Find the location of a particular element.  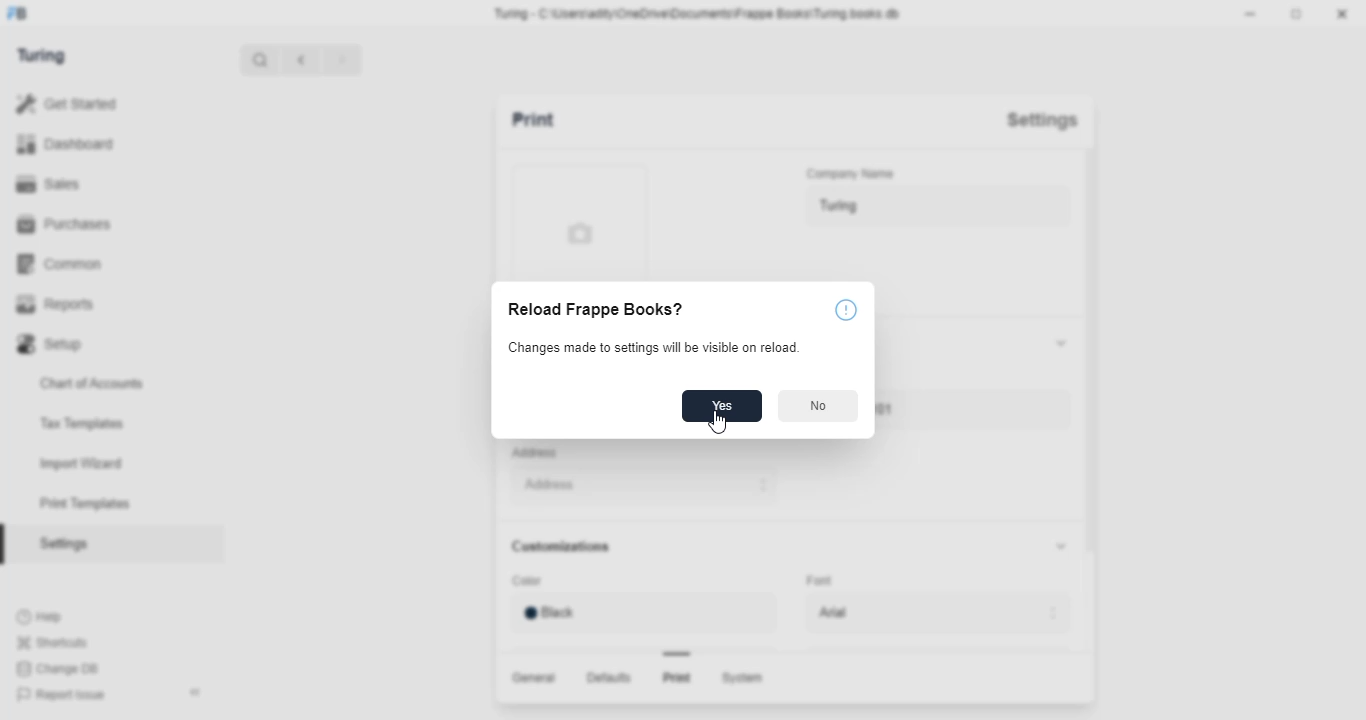

System is located at coordinates (746, 679).